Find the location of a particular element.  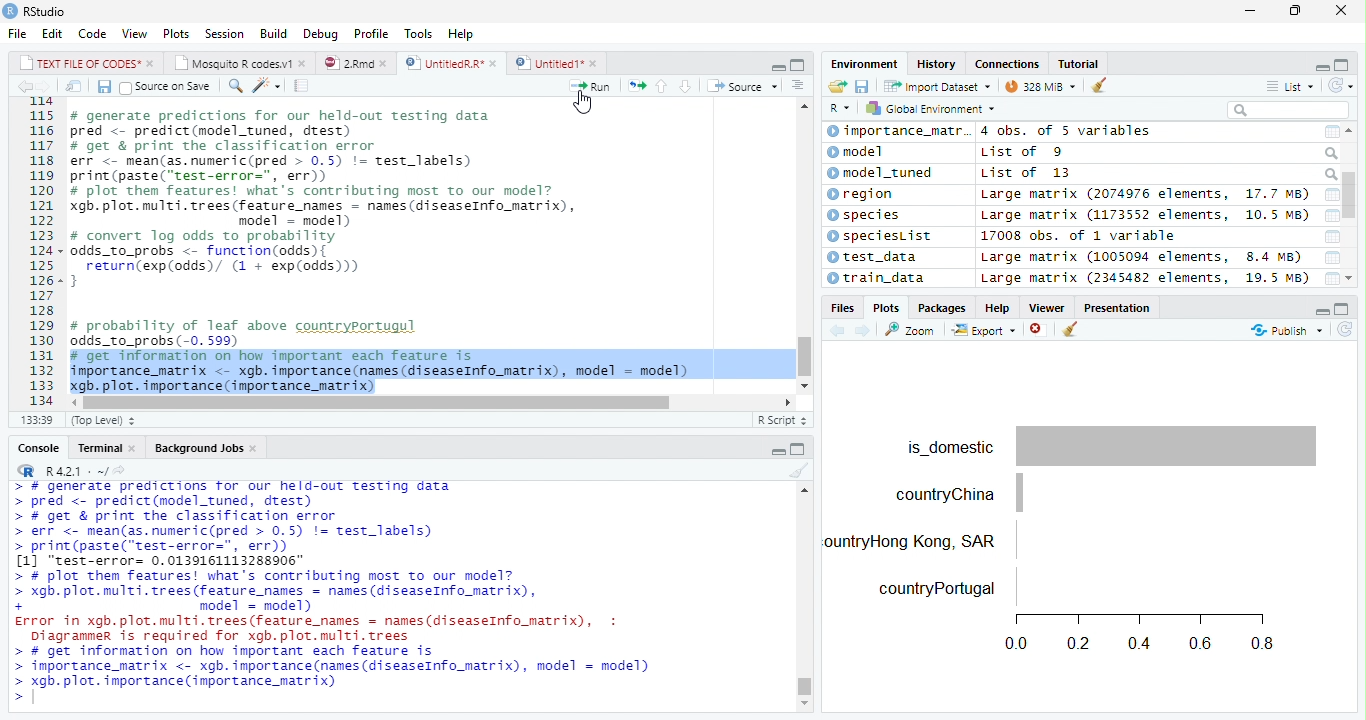

Files is located at coordinates (842, 308).